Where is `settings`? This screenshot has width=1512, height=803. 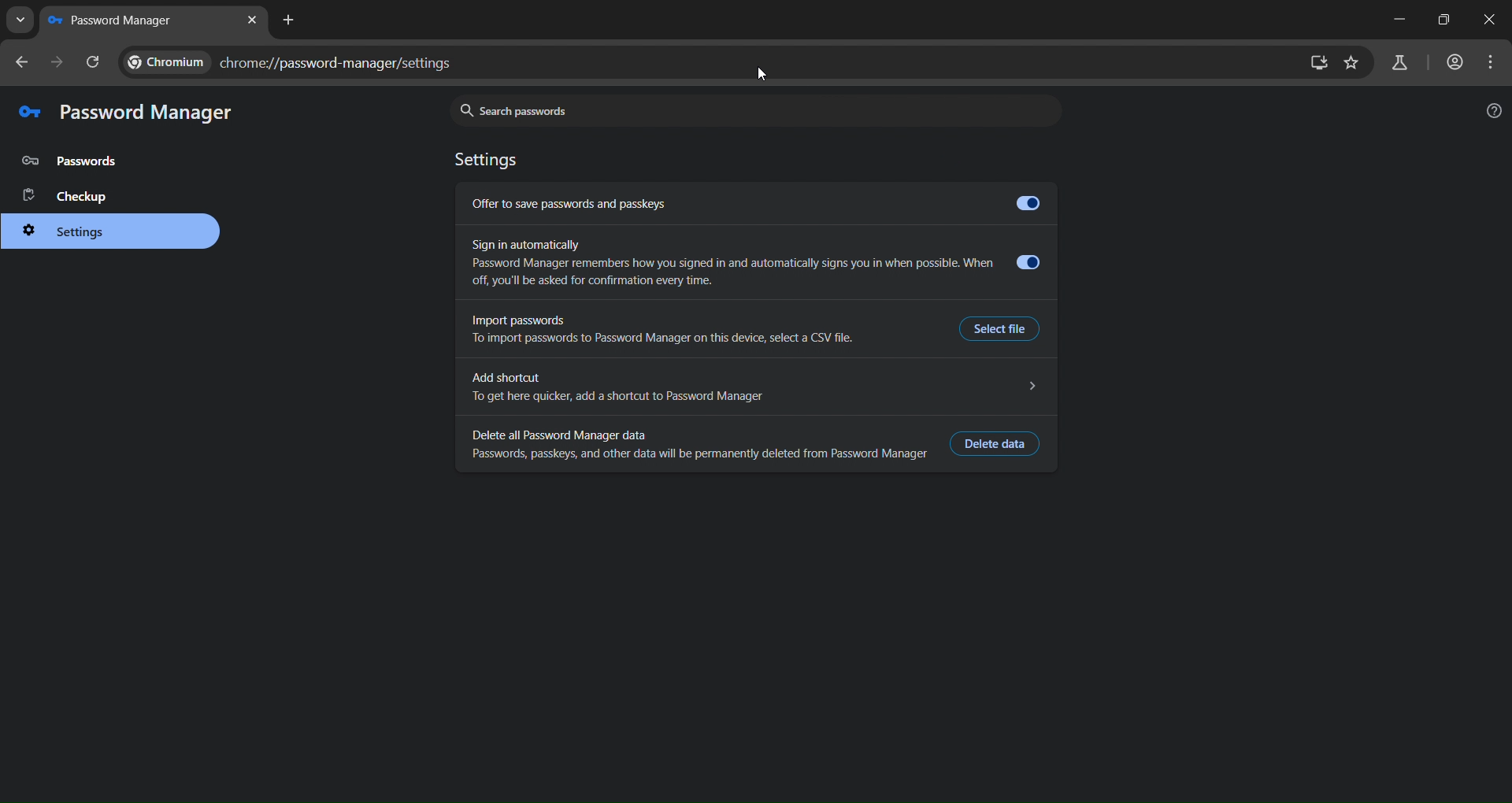
settings is located at coordinates (103, 231).